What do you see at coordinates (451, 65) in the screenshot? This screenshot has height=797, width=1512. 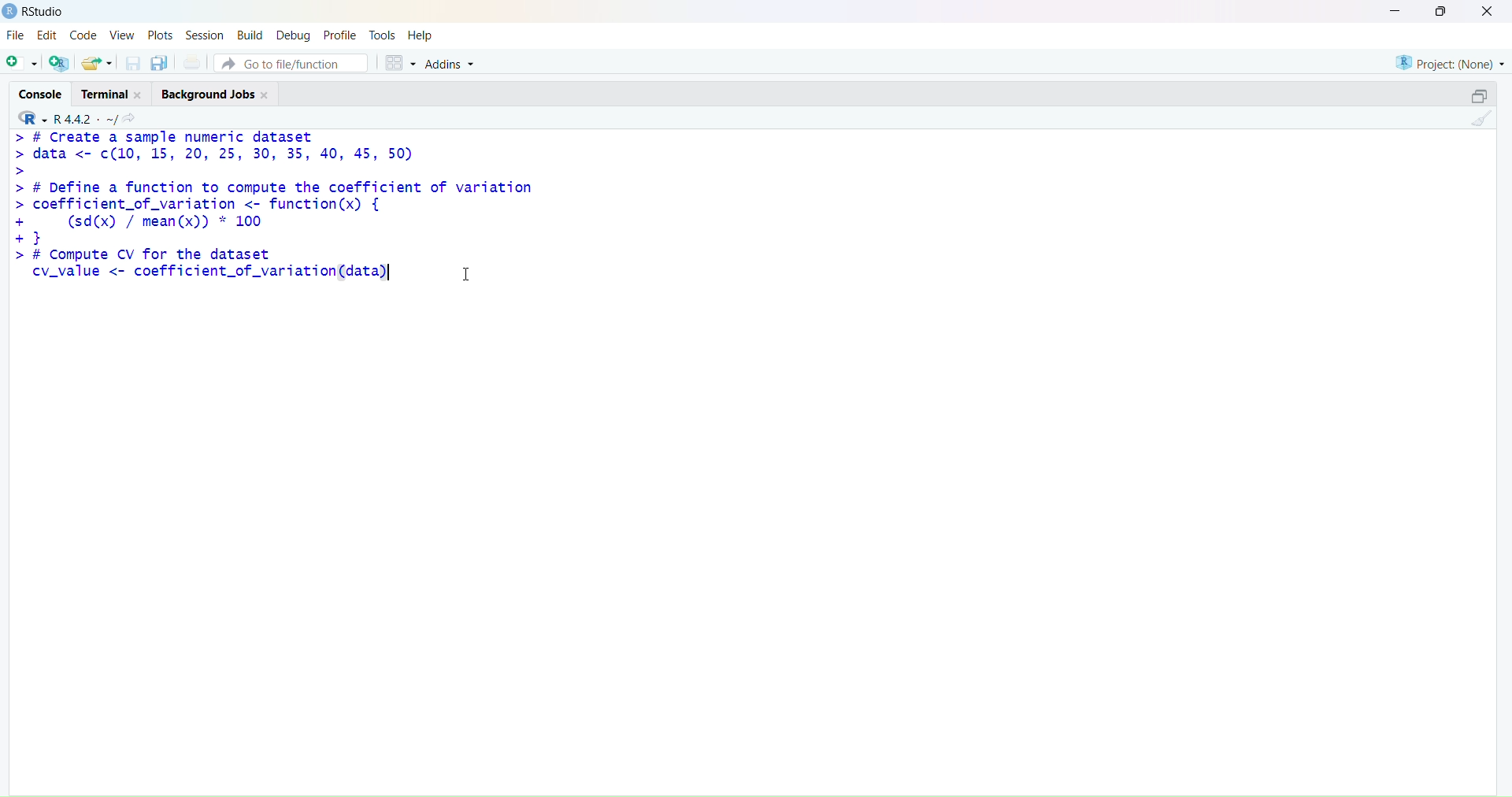 I see `Addins` at bounding box center [451, 65].